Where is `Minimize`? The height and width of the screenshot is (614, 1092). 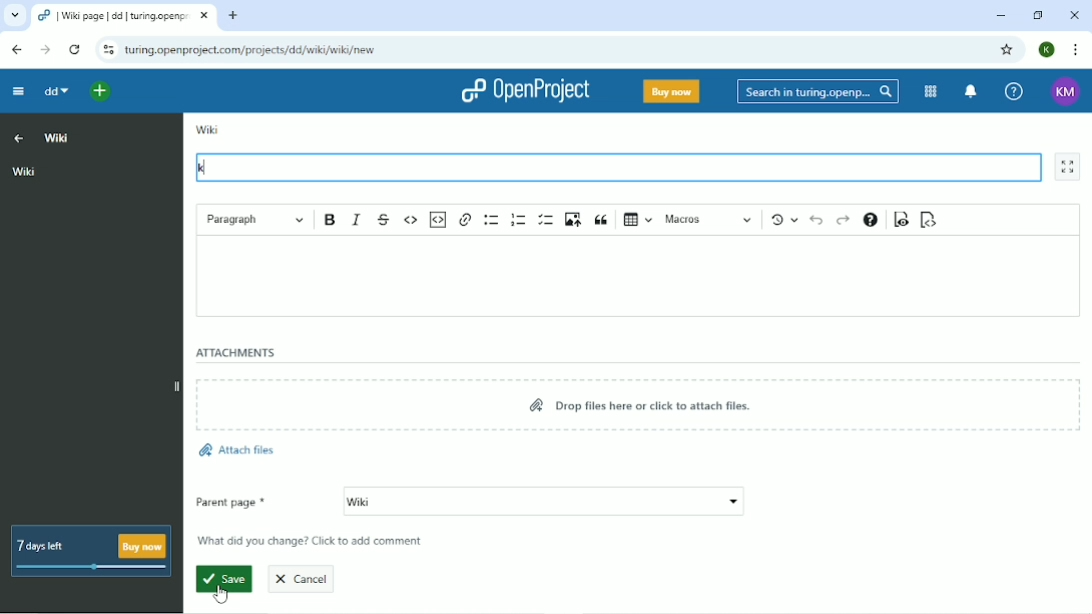 Minimize is located at coordinates (1002, 15).